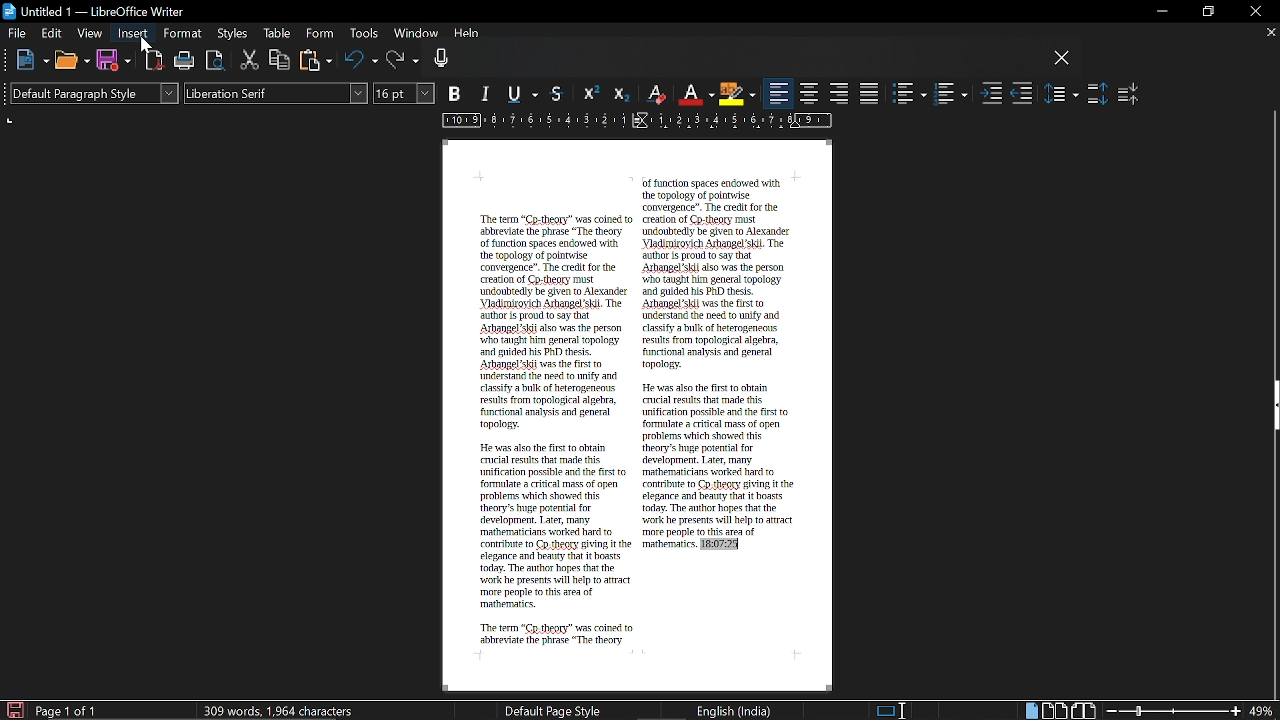  Describe the element at coordinates (90, 32) in the screenshot. I see `View` at that location.